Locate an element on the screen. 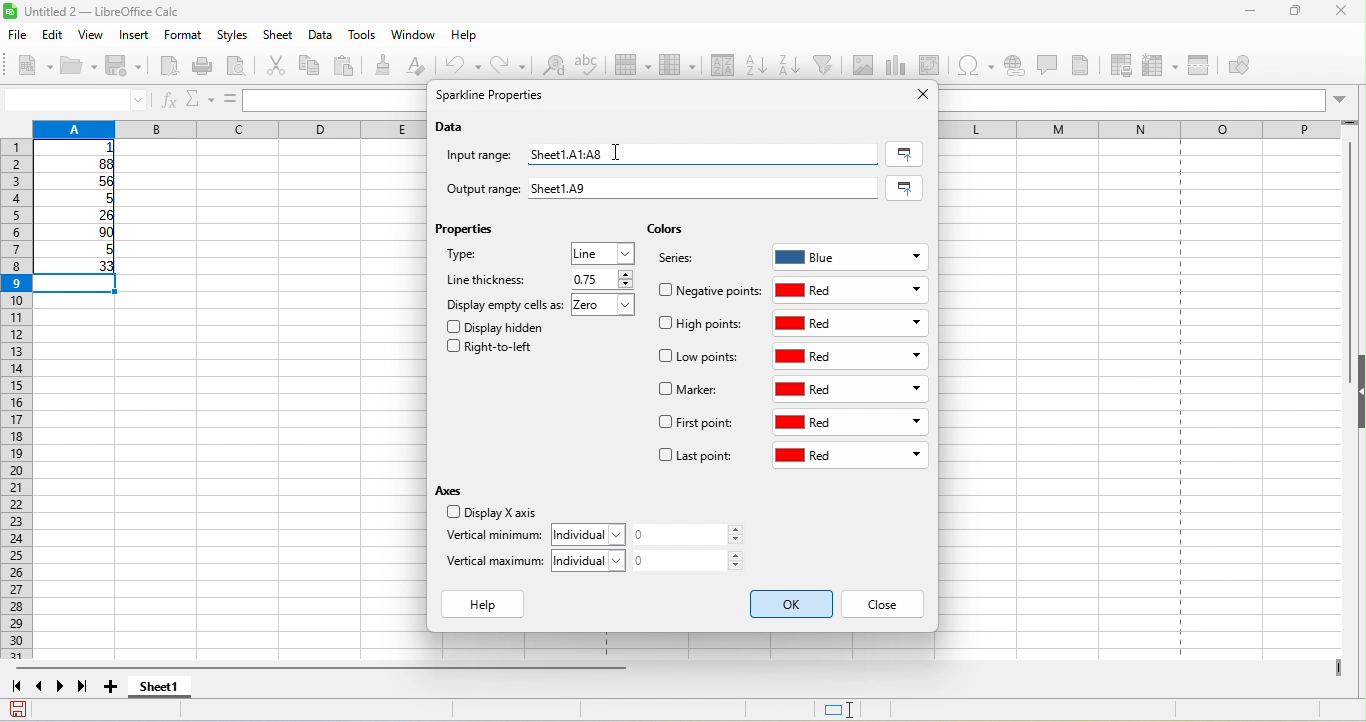 This screenshot has width=1366, height=722. sparkline properties is located at coordinates (494, 97).